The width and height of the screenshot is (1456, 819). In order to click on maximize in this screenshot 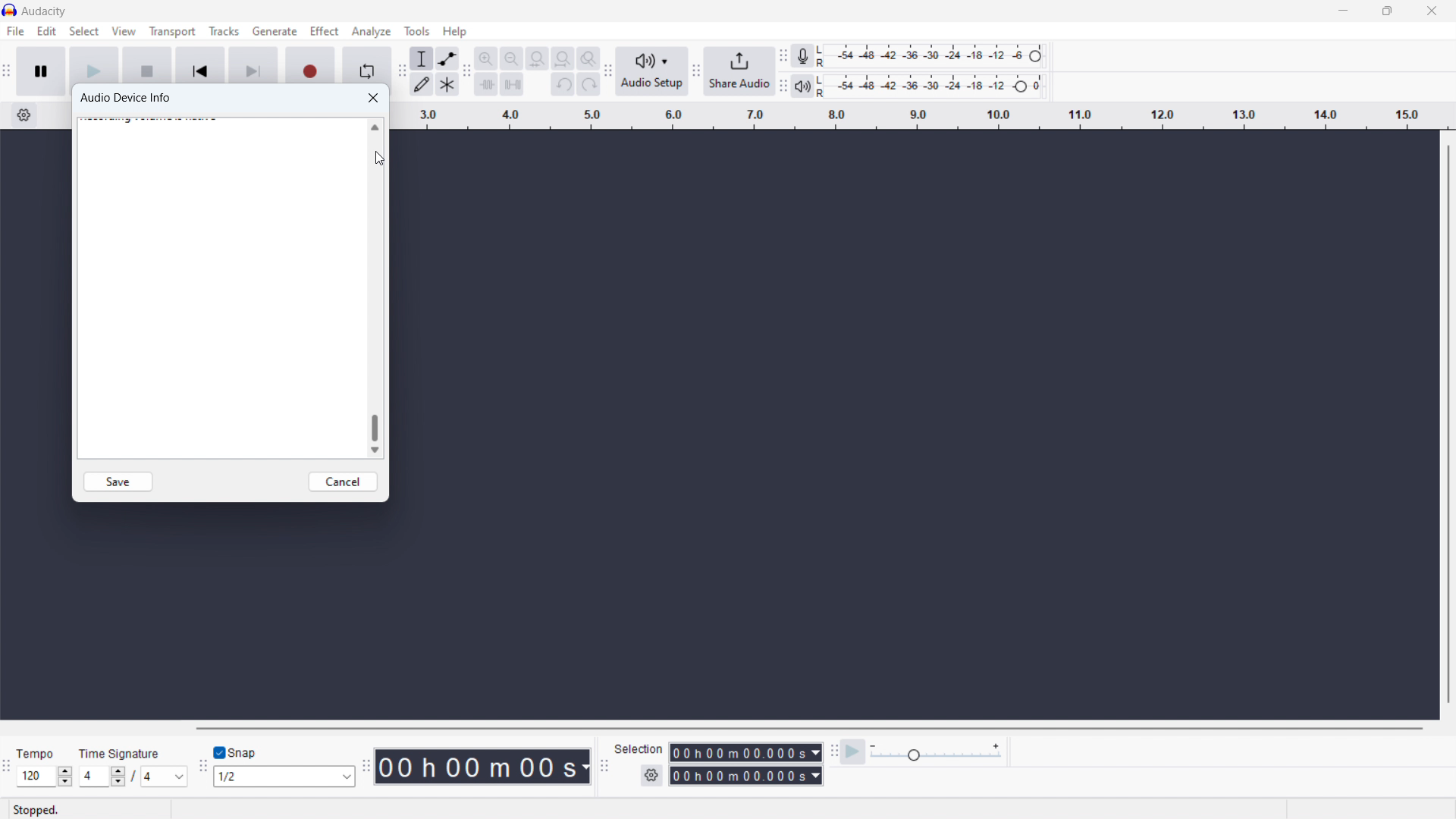, I will do `click(1385, 11)`.